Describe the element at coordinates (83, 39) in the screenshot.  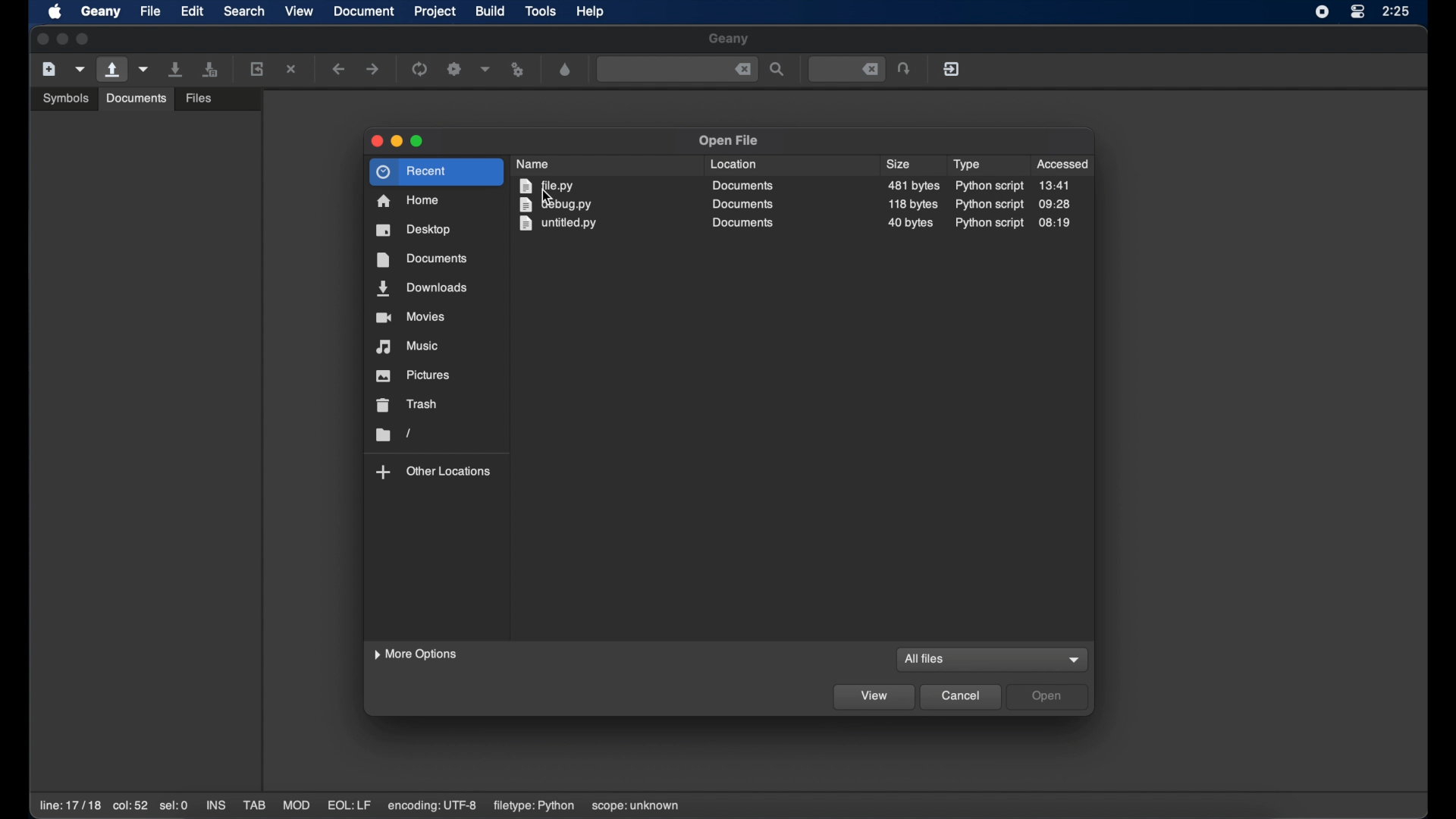
I see `maximize` at that location.